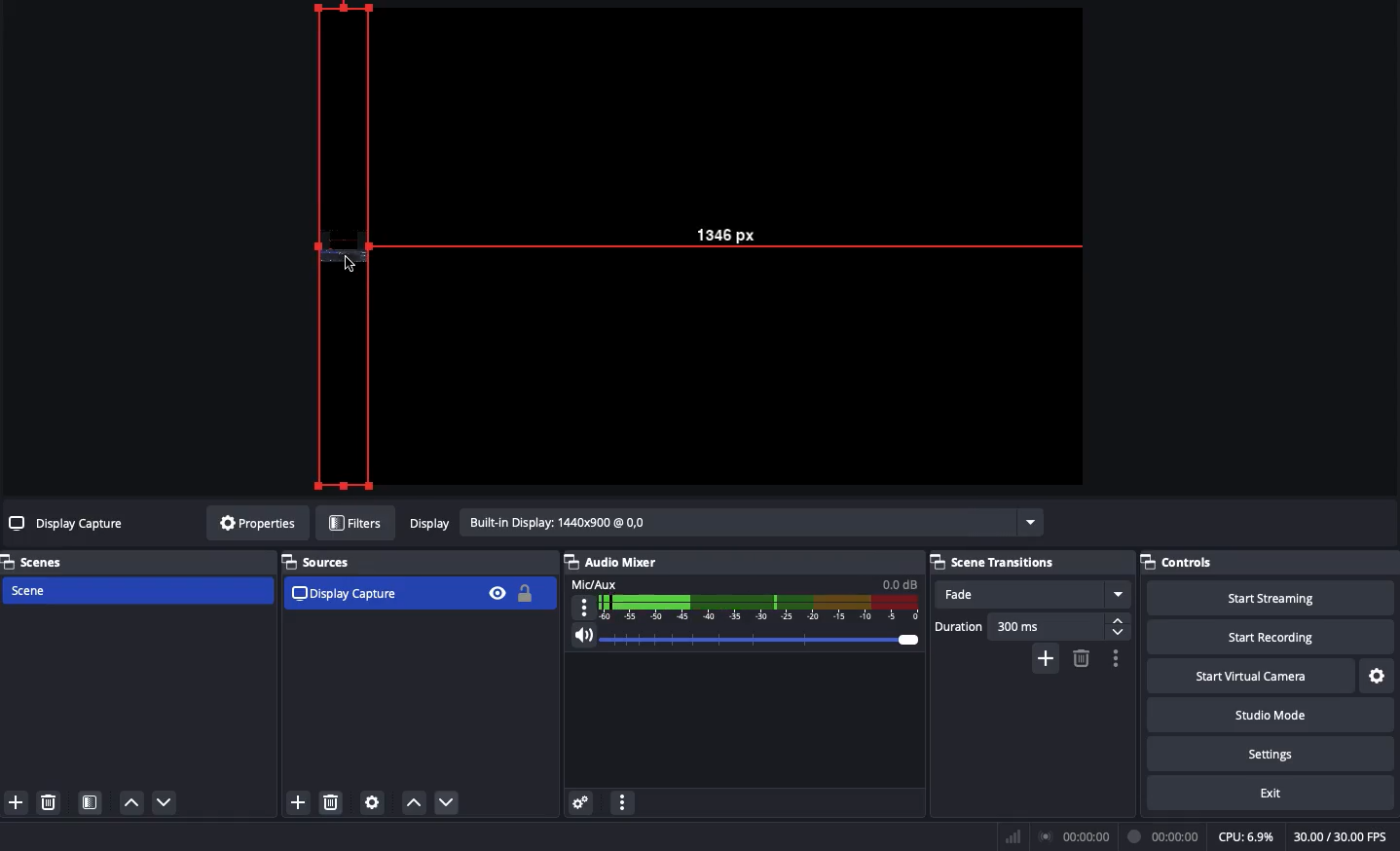 This screenshot has width=1400, height=851. What do you see at coordinates (1269, 751) in the screenshot?
I see `Settings` at bounding box center [1269, 751].